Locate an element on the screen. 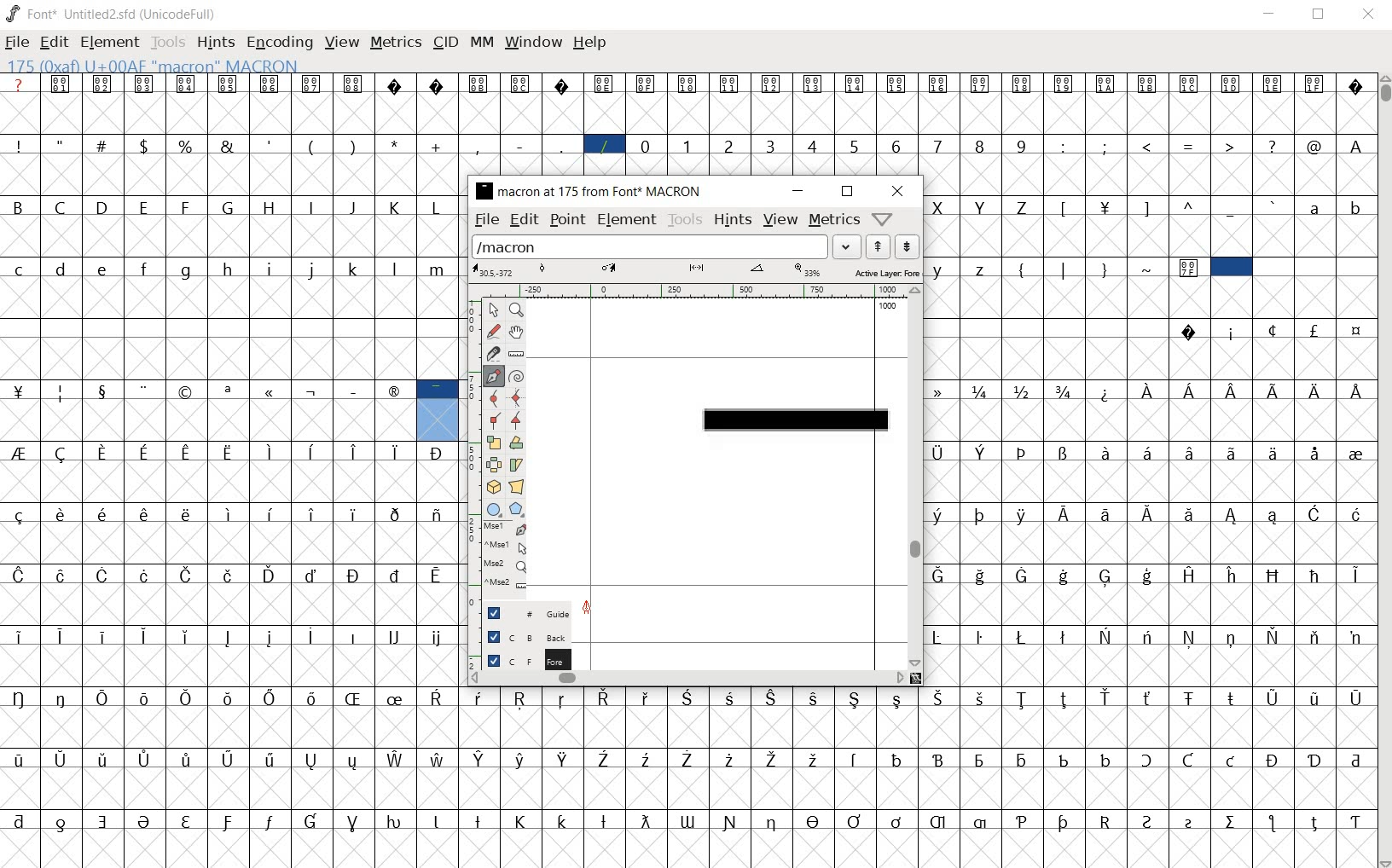 The width and height of the screenshot is (1392, 868). Symbol is located at coordinates (1354, 636).